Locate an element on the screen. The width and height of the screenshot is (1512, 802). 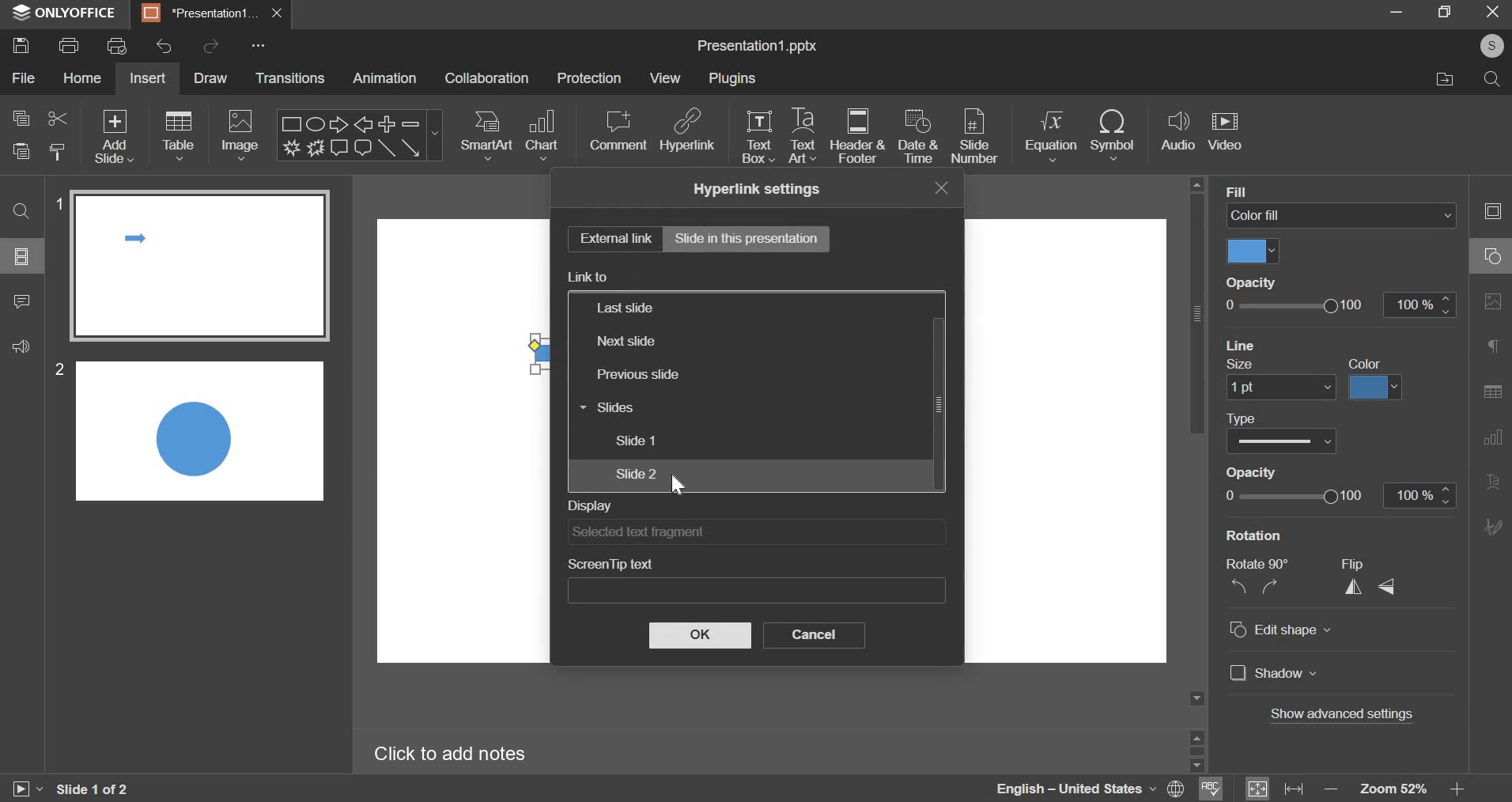
scrollbar is located at coordinates (1197, 752).